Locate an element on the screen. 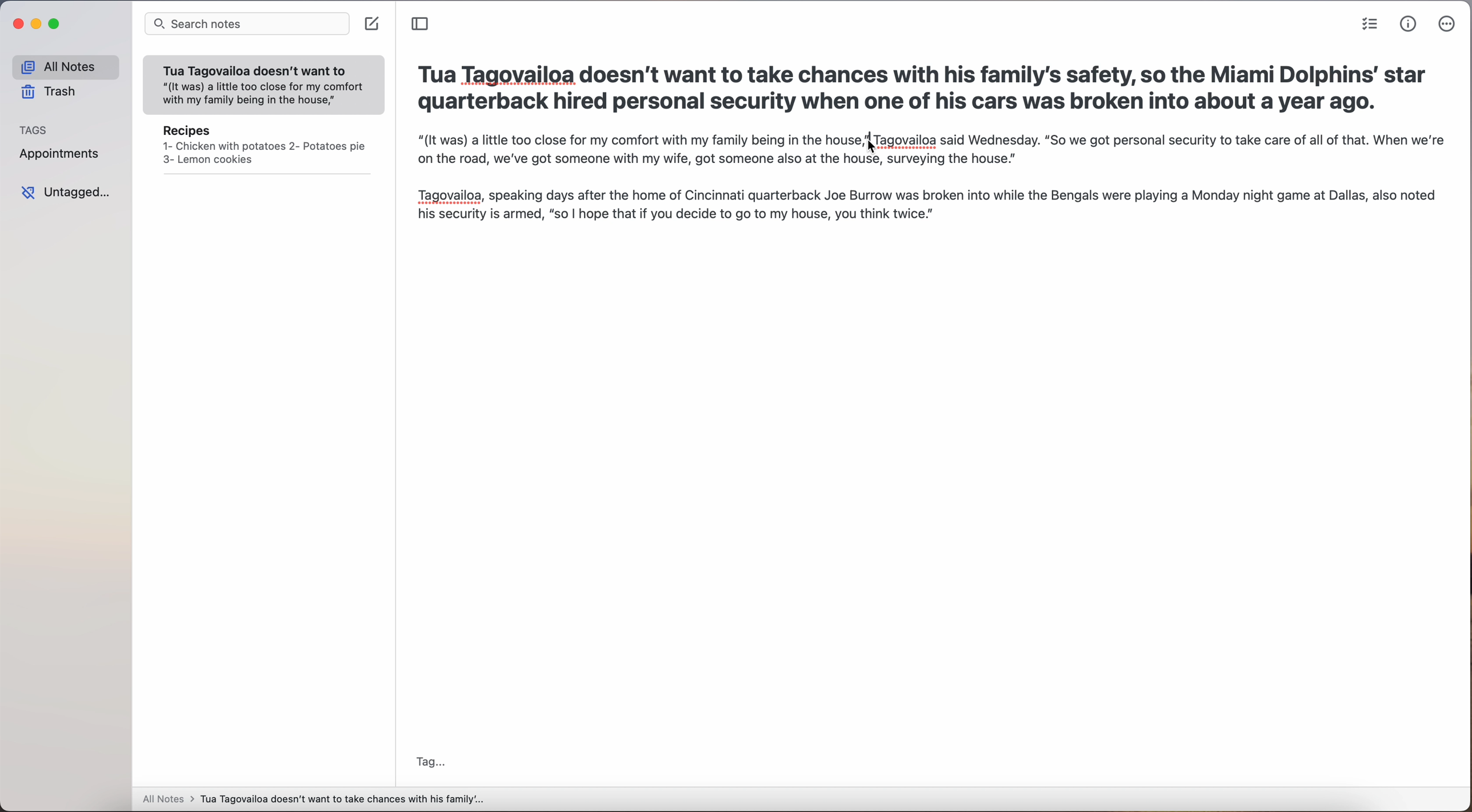  metrics is located at coordinates (1409, 25).